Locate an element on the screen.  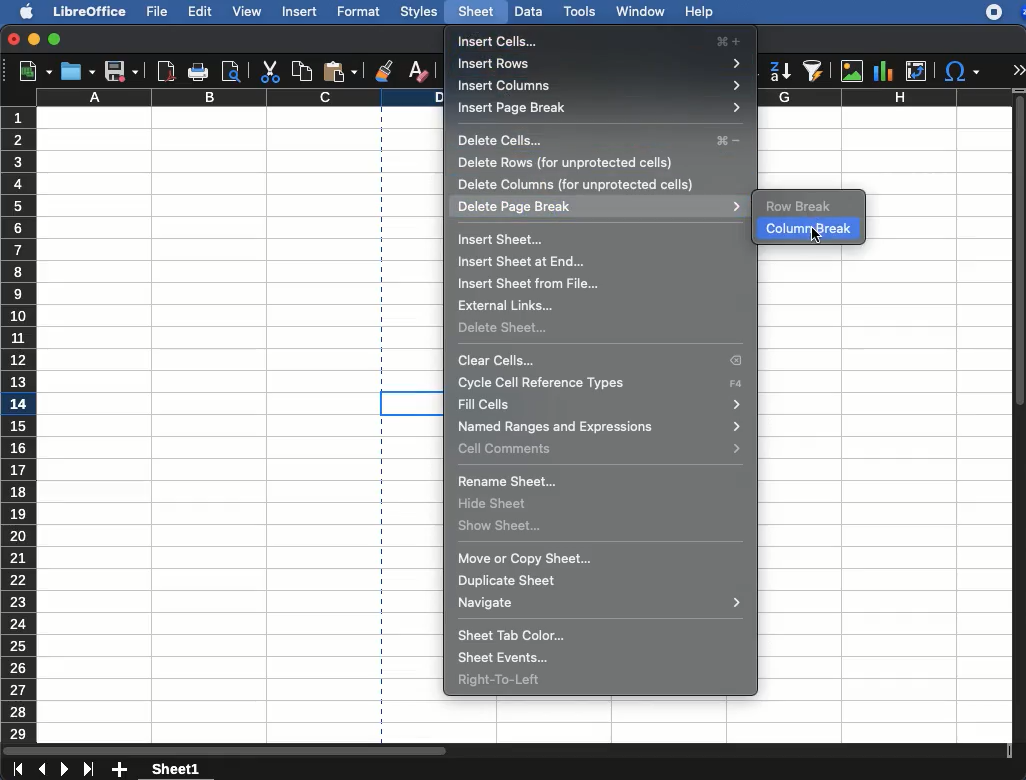
print preview is located at coordinates (230, 71).